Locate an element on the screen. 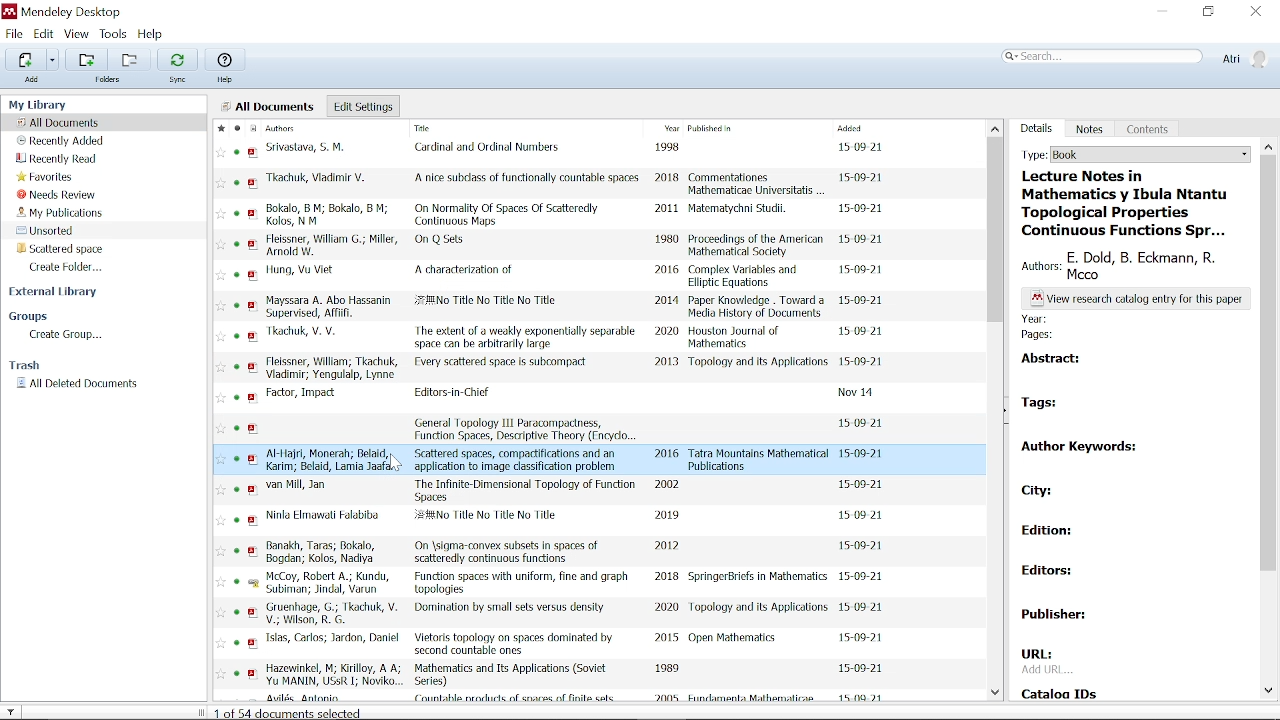  2015 is located at coordinates (666, 640).